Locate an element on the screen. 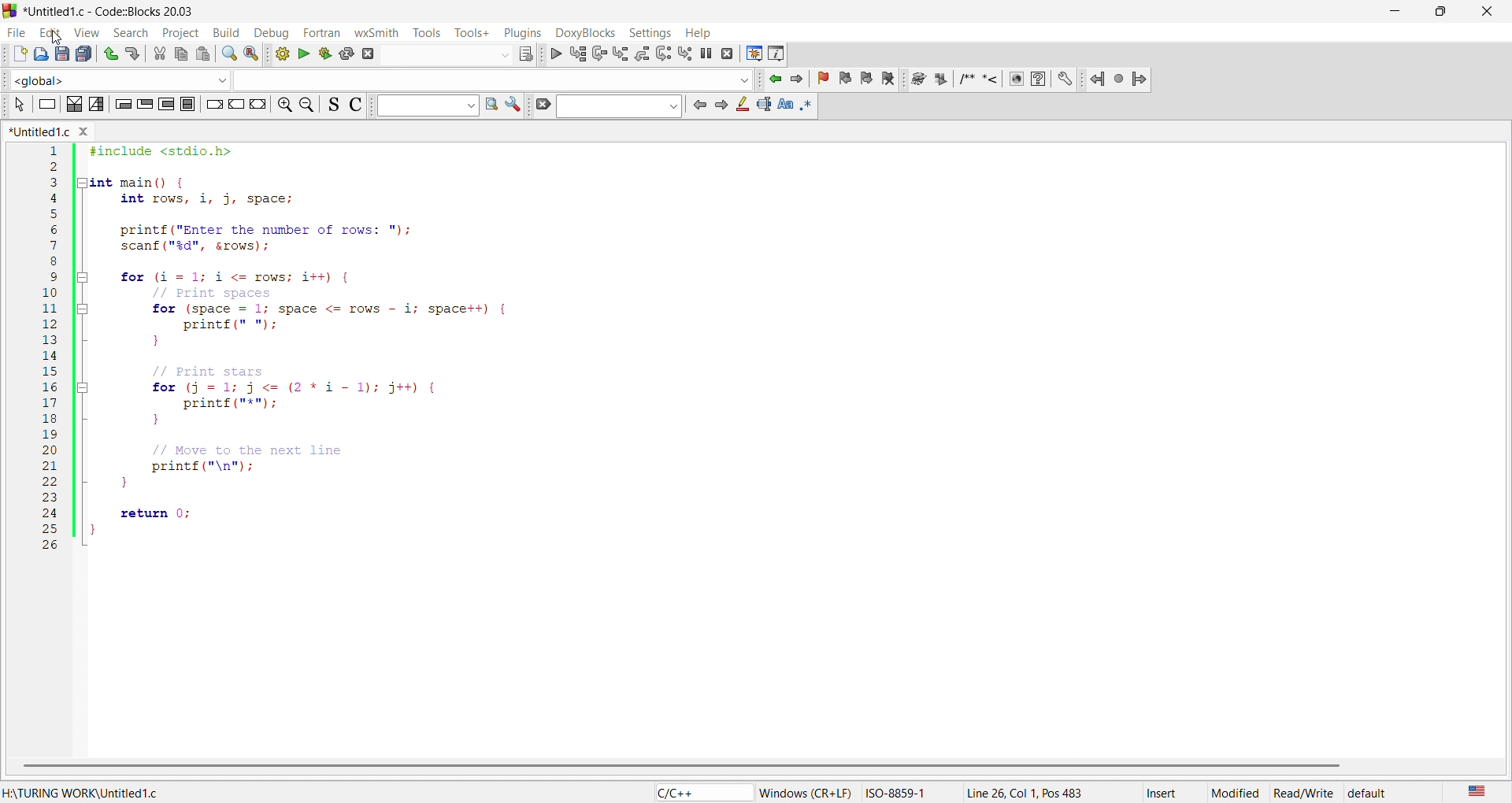 The width and height of the screenshot is (1512, 803). build is located at coordinates (222, 31).